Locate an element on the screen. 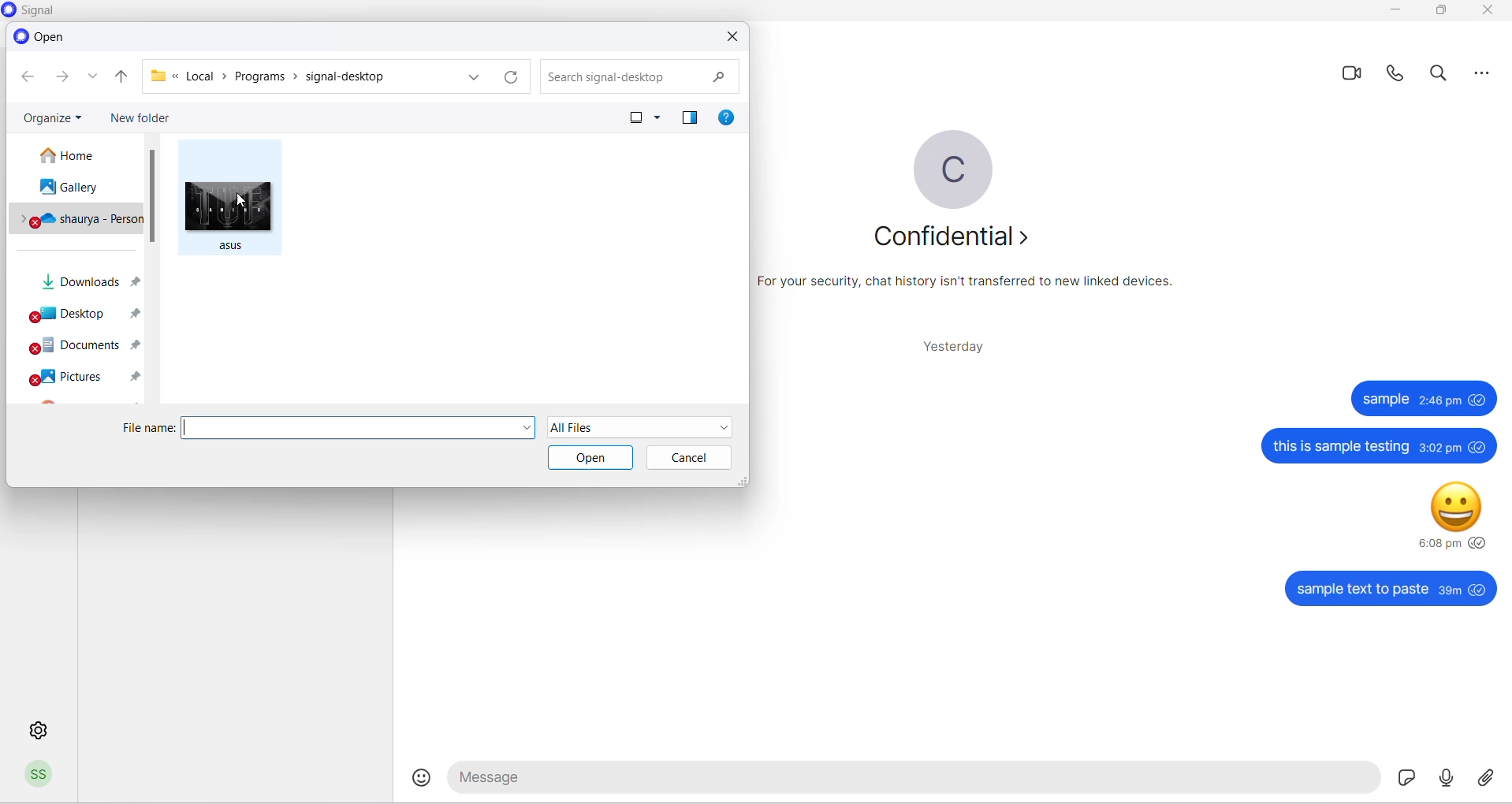   is located at coordinates (691, 117).